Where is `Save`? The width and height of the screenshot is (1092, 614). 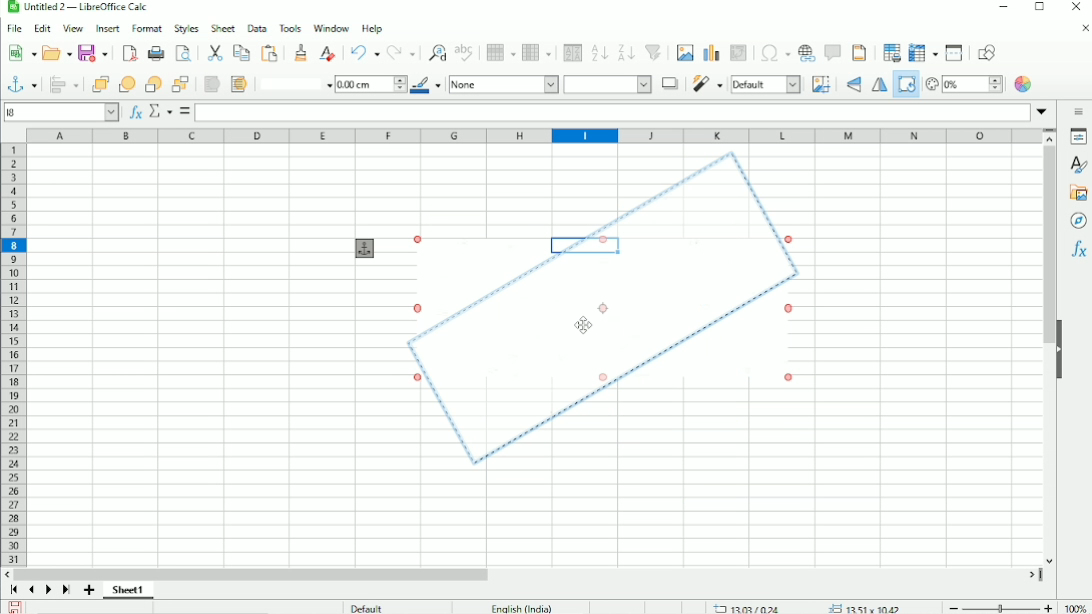 Save is located at coordinates (93, 53).